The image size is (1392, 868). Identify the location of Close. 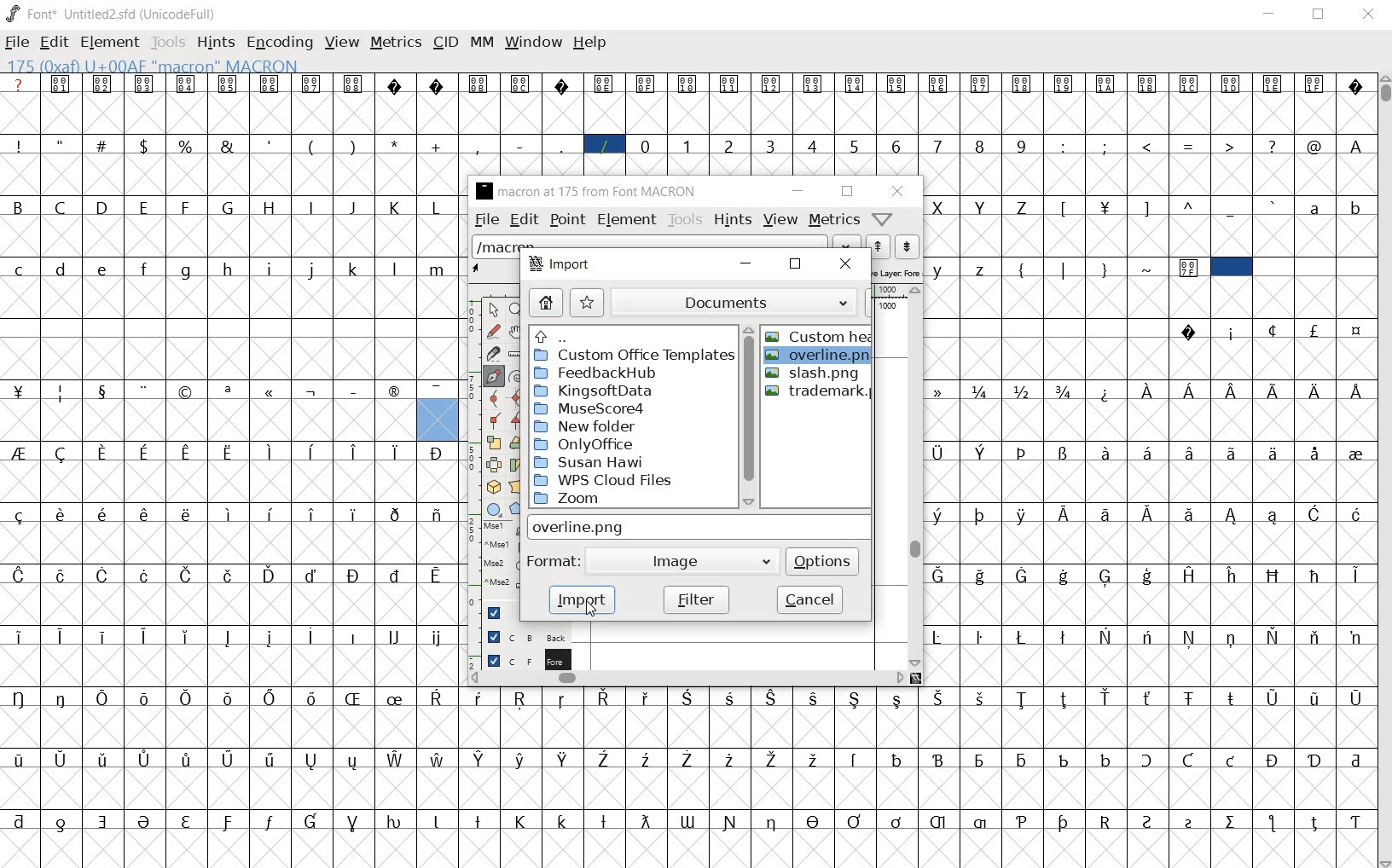
(1368, 14).